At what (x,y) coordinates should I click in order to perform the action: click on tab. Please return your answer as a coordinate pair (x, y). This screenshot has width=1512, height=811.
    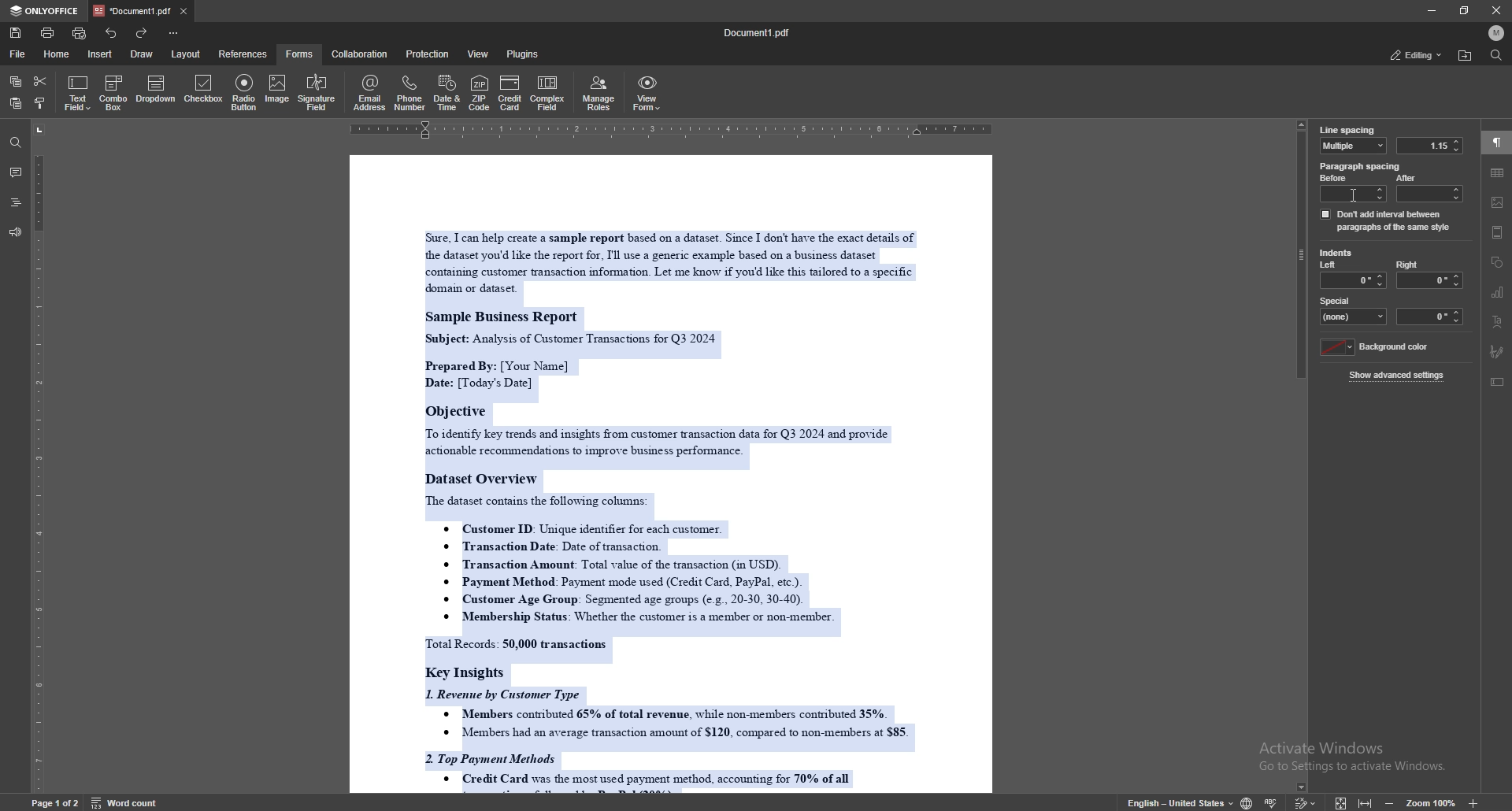
    Looking at the image, I should click on (133, 10).